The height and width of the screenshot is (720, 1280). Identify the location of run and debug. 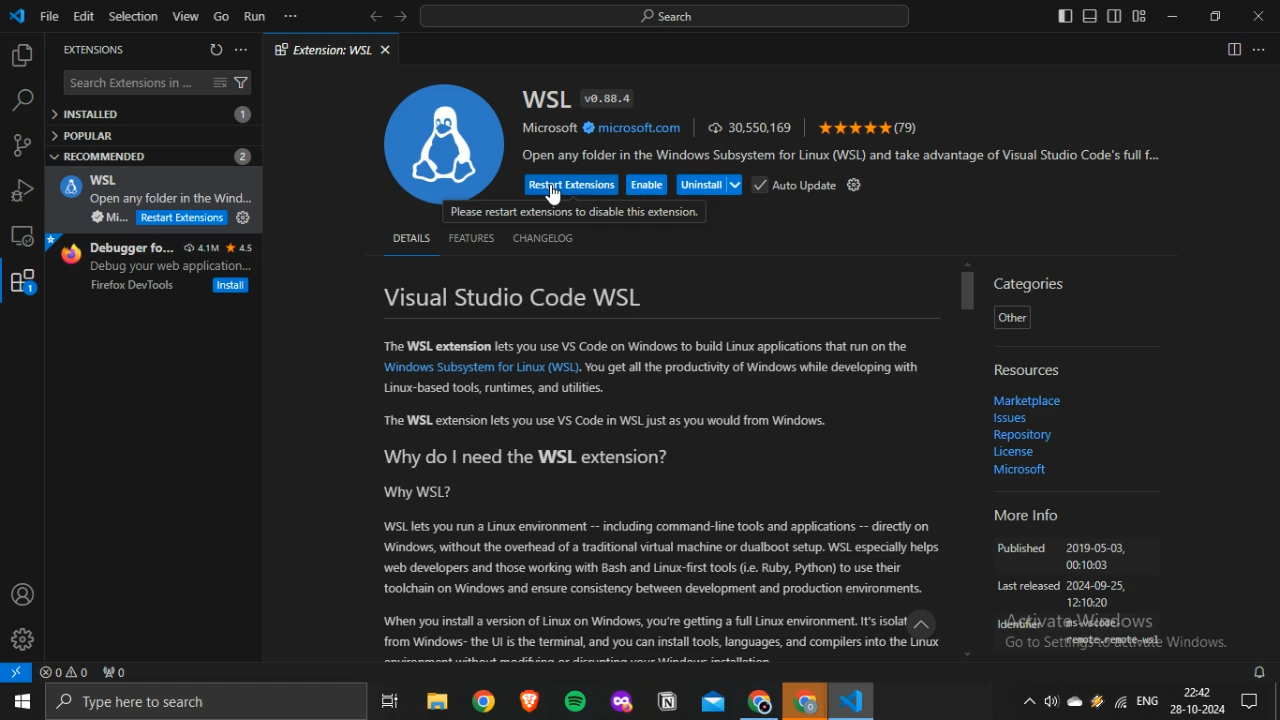
(22, 191).